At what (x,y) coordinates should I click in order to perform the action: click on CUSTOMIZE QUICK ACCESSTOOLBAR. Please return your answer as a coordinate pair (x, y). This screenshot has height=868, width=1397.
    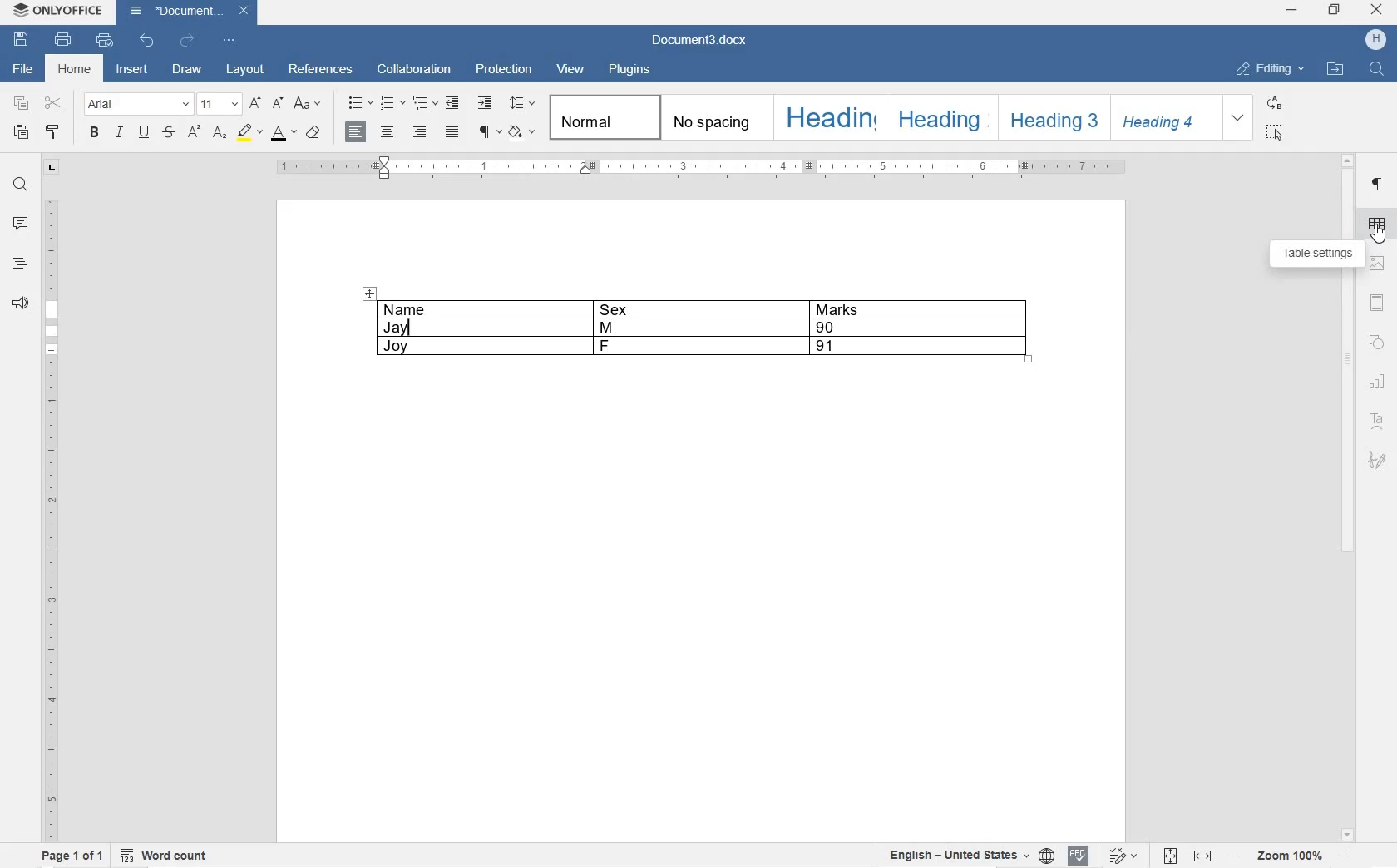
    Looking at the image, I should click on (230, 41).